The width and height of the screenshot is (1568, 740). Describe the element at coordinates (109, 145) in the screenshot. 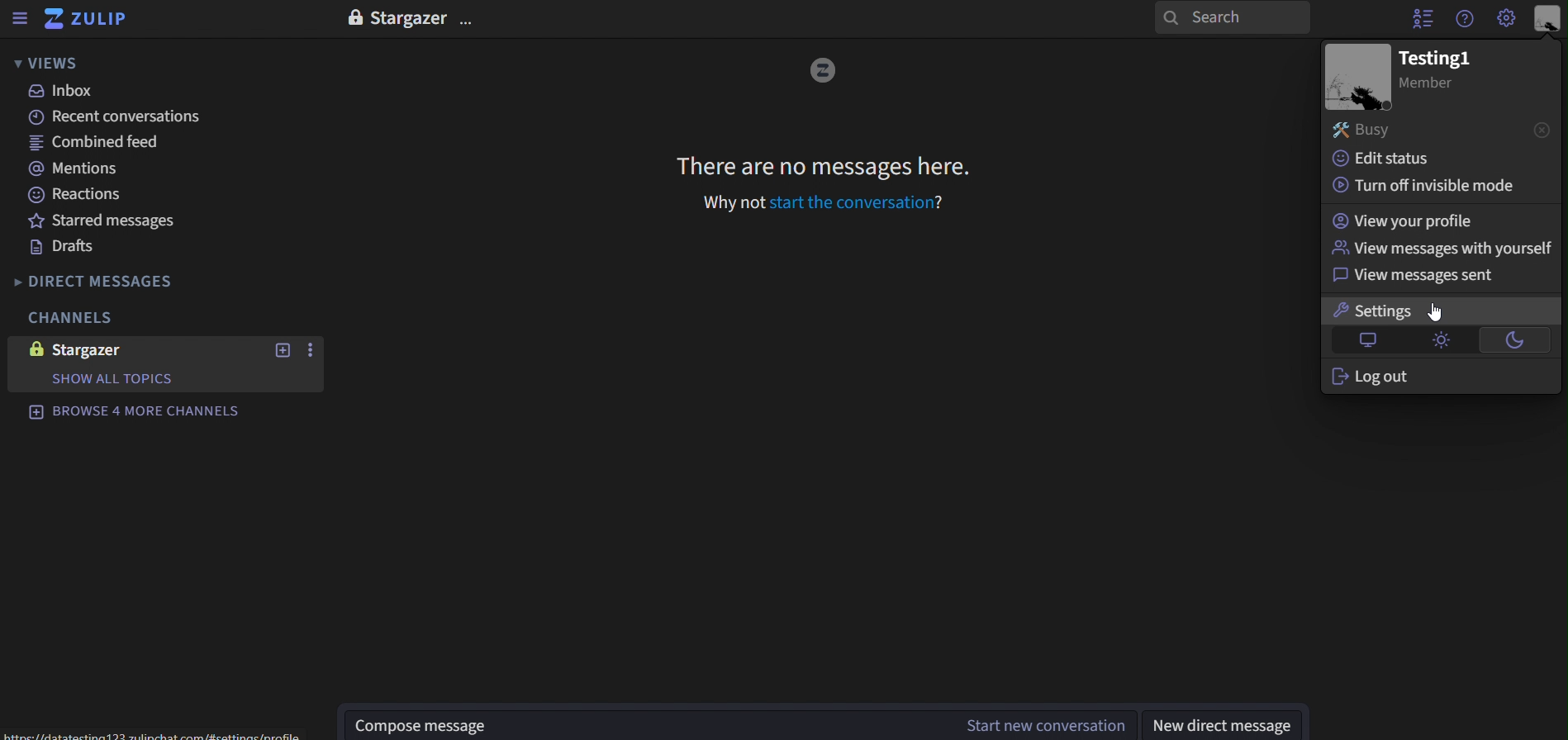

I see `combined feed` at that location.